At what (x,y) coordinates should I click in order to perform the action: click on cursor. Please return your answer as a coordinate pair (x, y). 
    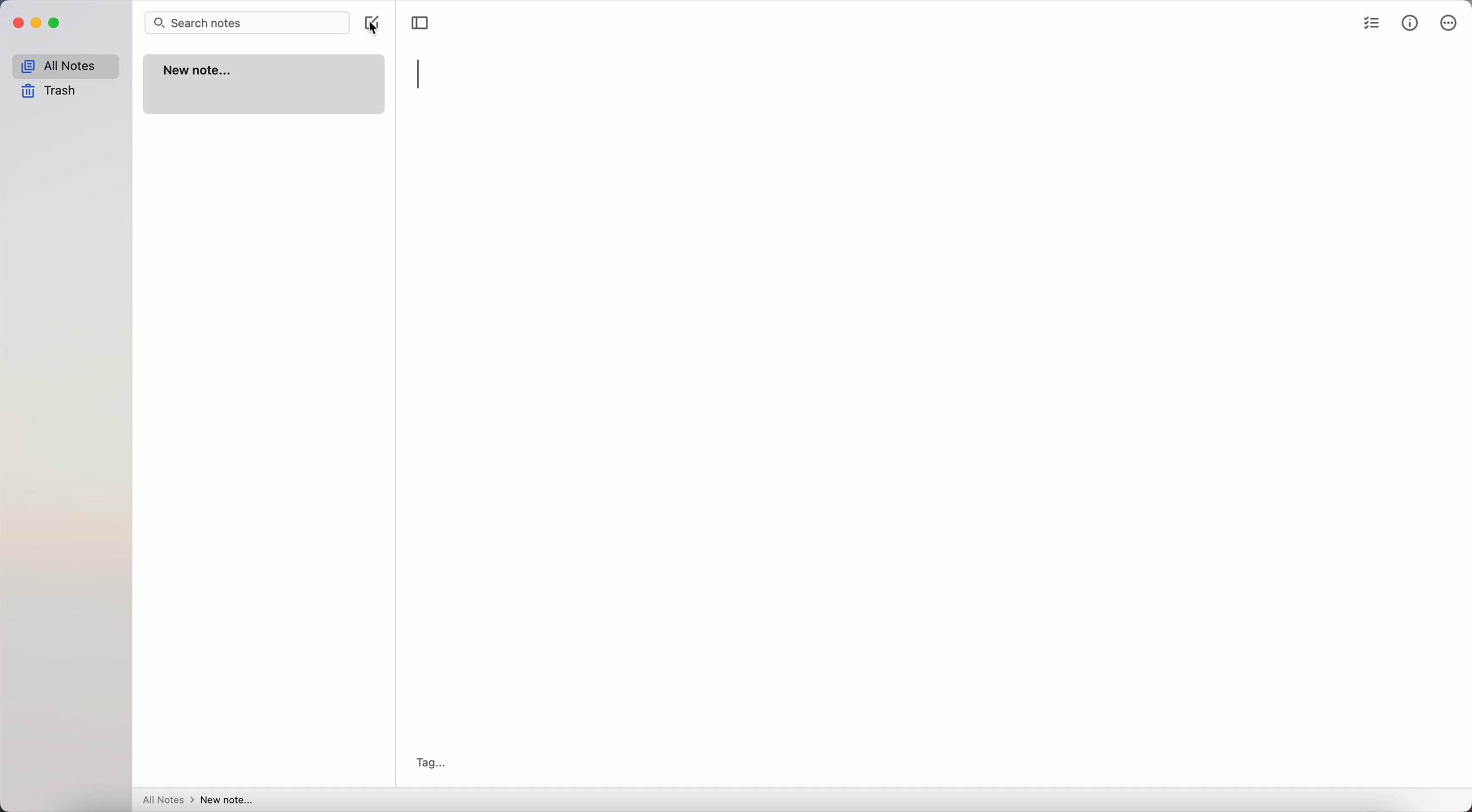
    Looking at the image, I should click on (379, 26).